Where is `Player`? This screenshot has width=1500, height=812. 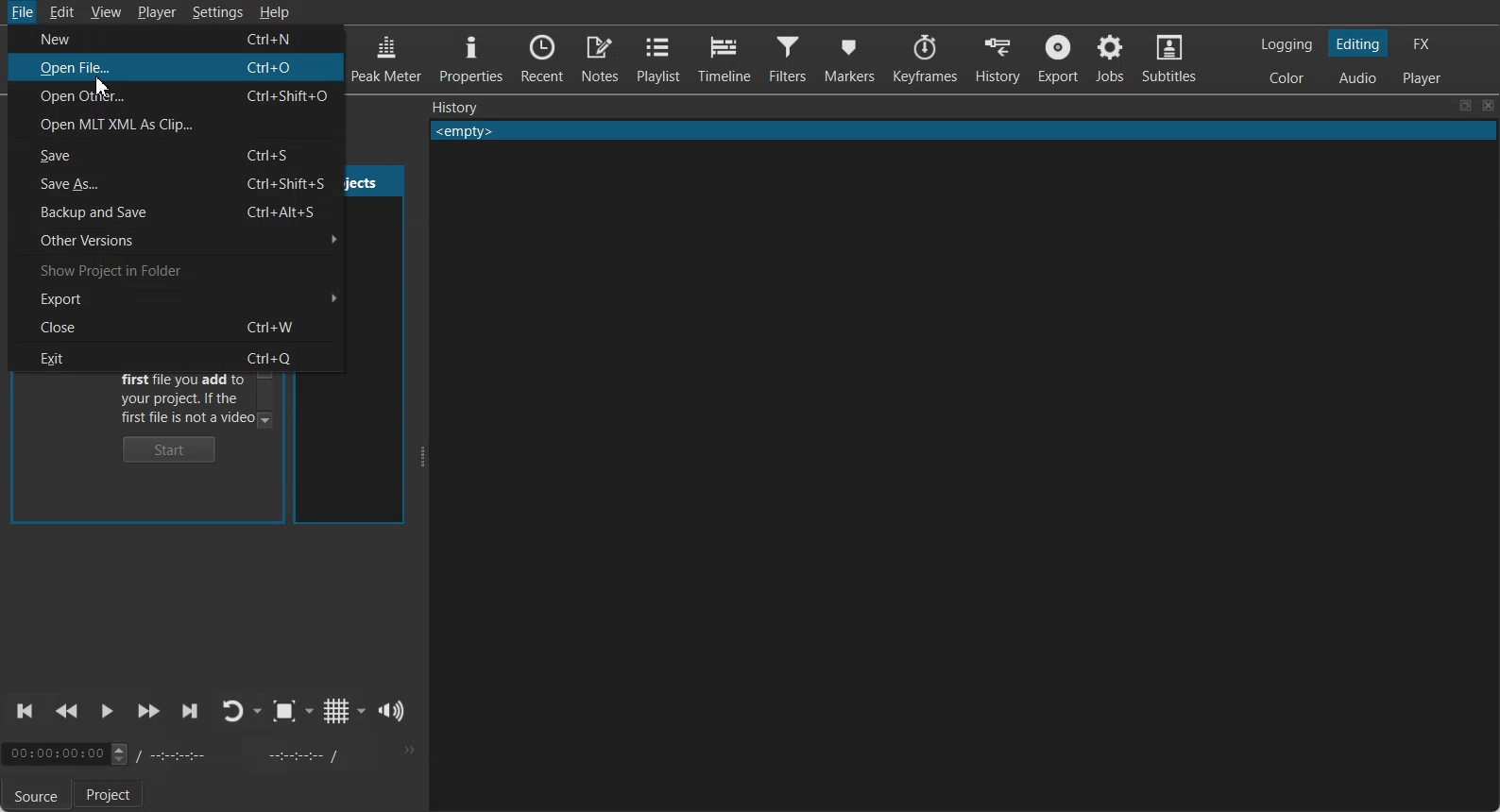 Player is located at coordinates (159, 13).